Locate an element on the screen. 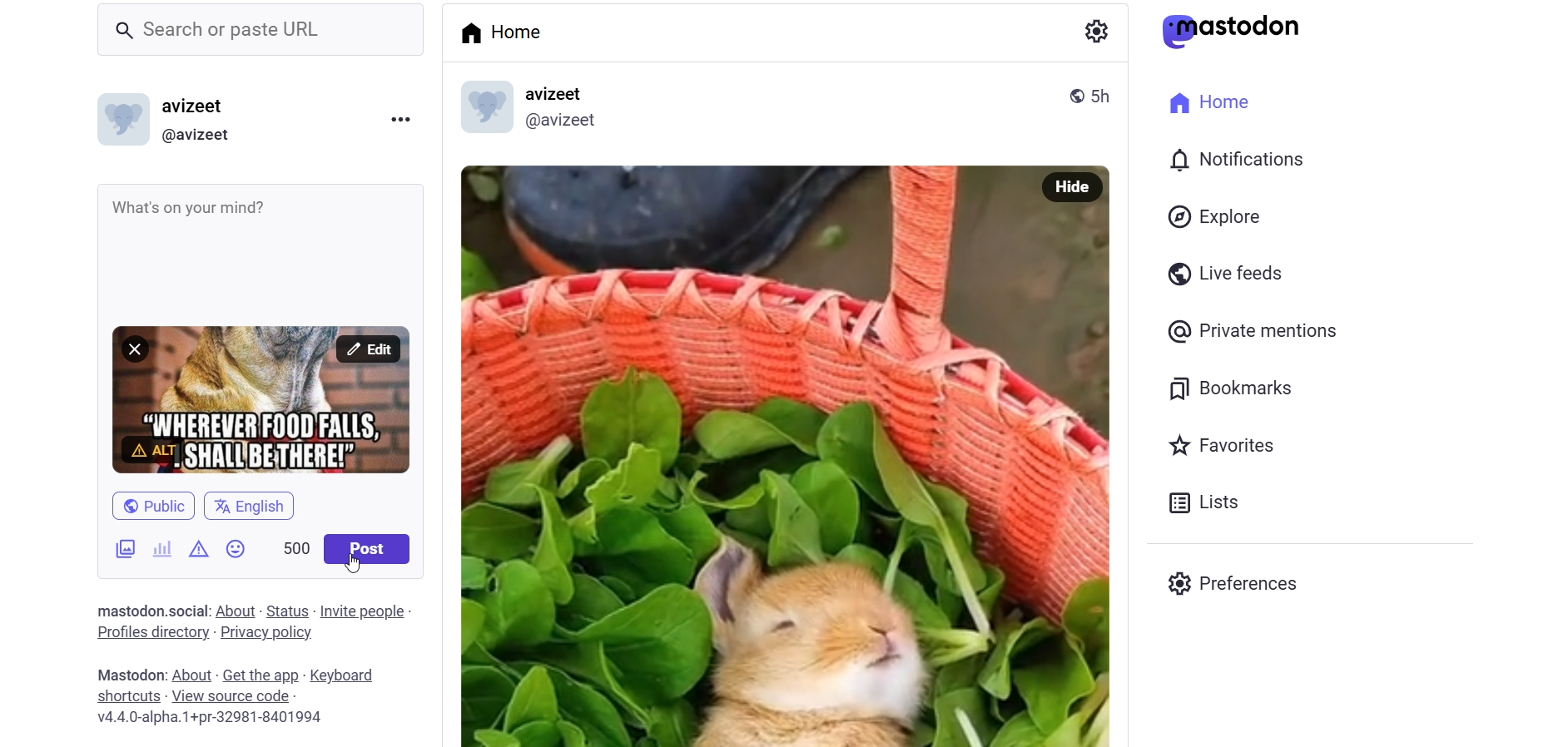 The width and height of the screenshot is (1568, 747). status is located at coordinates (286, 611).